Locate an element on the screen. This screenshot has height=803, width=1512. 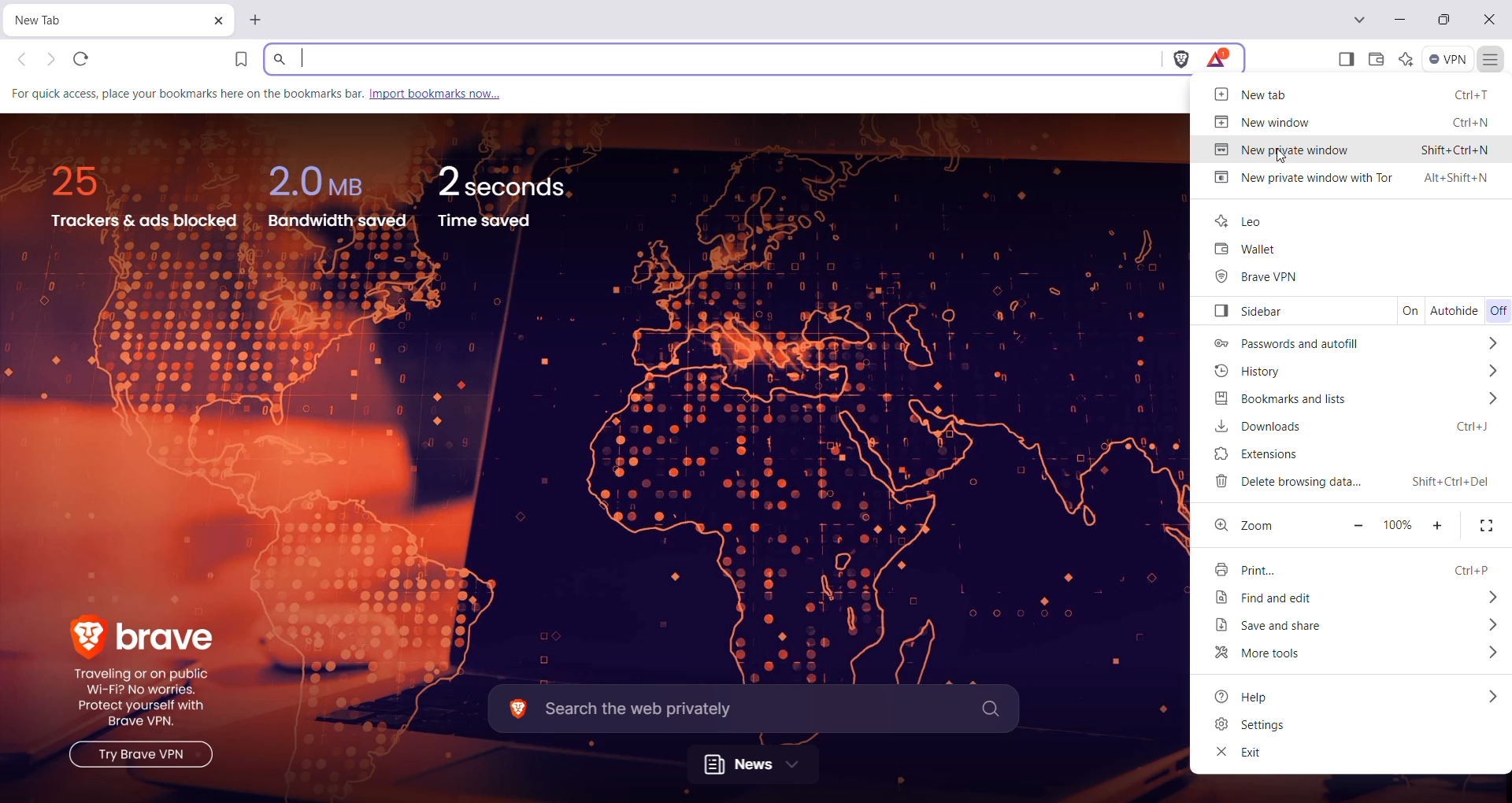
2 seconds time saved is located at coordinates (504, 196).